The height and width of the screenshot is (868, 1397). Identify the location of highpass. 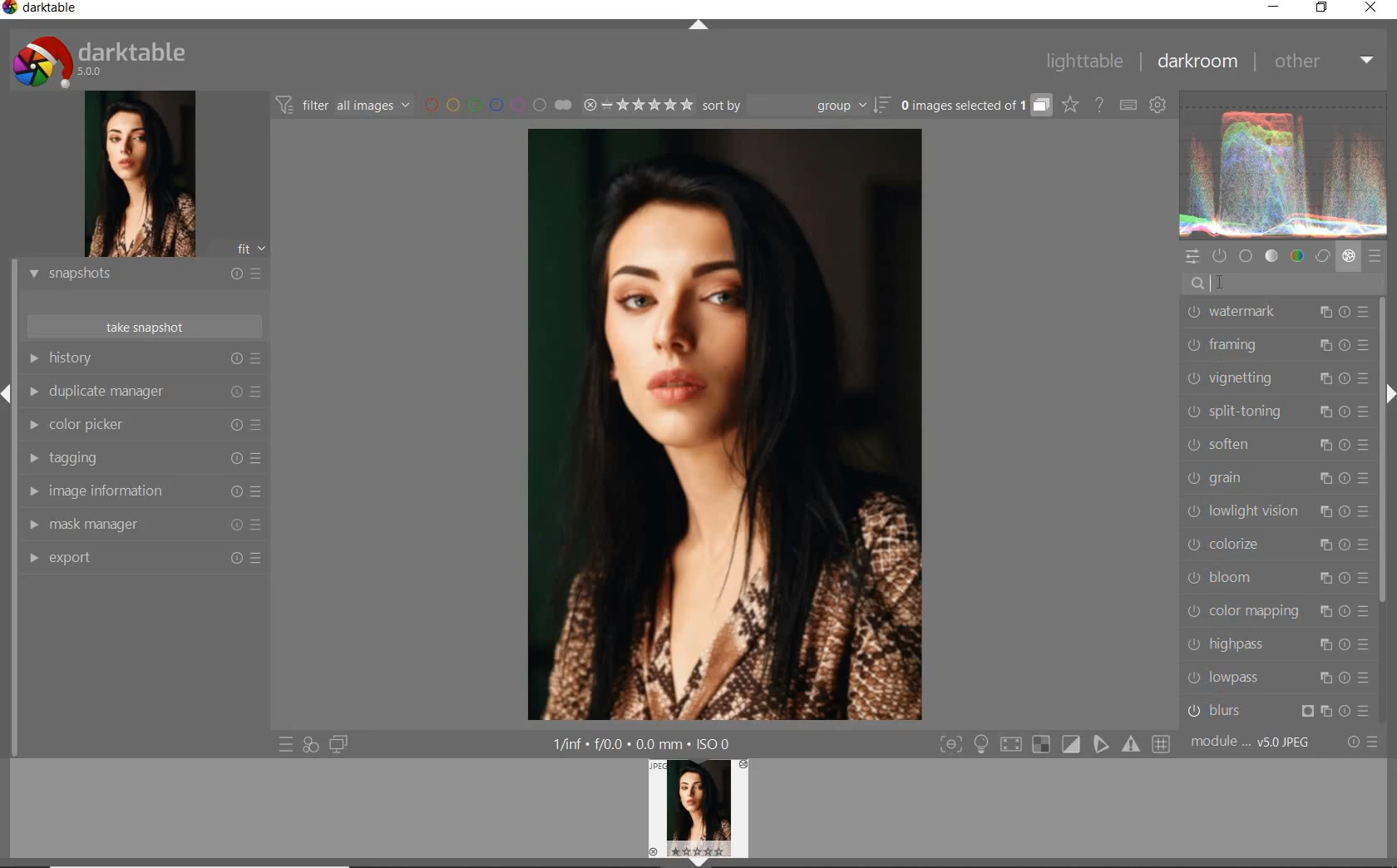
(1277, 645).